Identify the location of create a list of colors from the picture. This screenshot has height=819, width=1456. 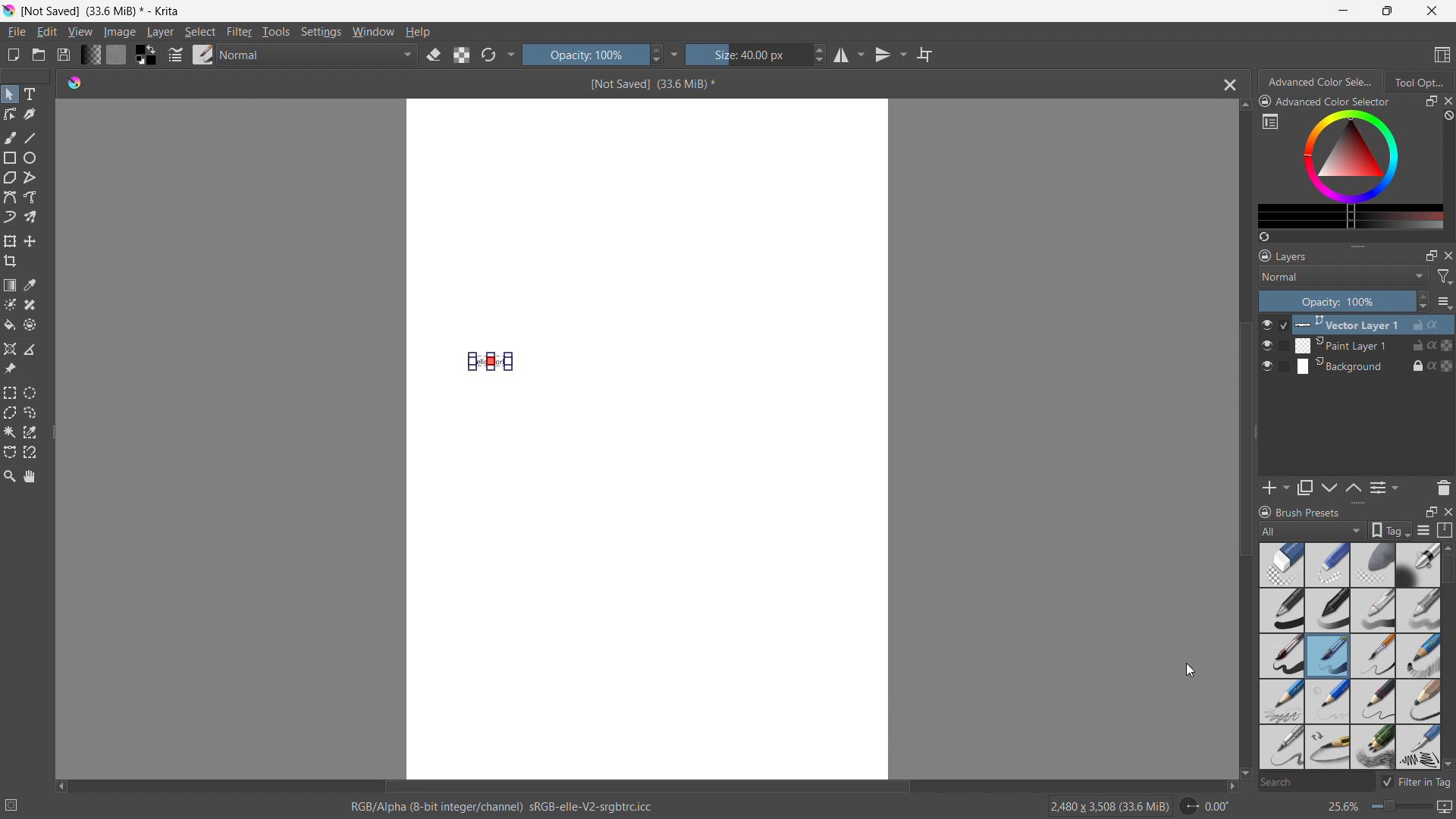
(1264, 237).